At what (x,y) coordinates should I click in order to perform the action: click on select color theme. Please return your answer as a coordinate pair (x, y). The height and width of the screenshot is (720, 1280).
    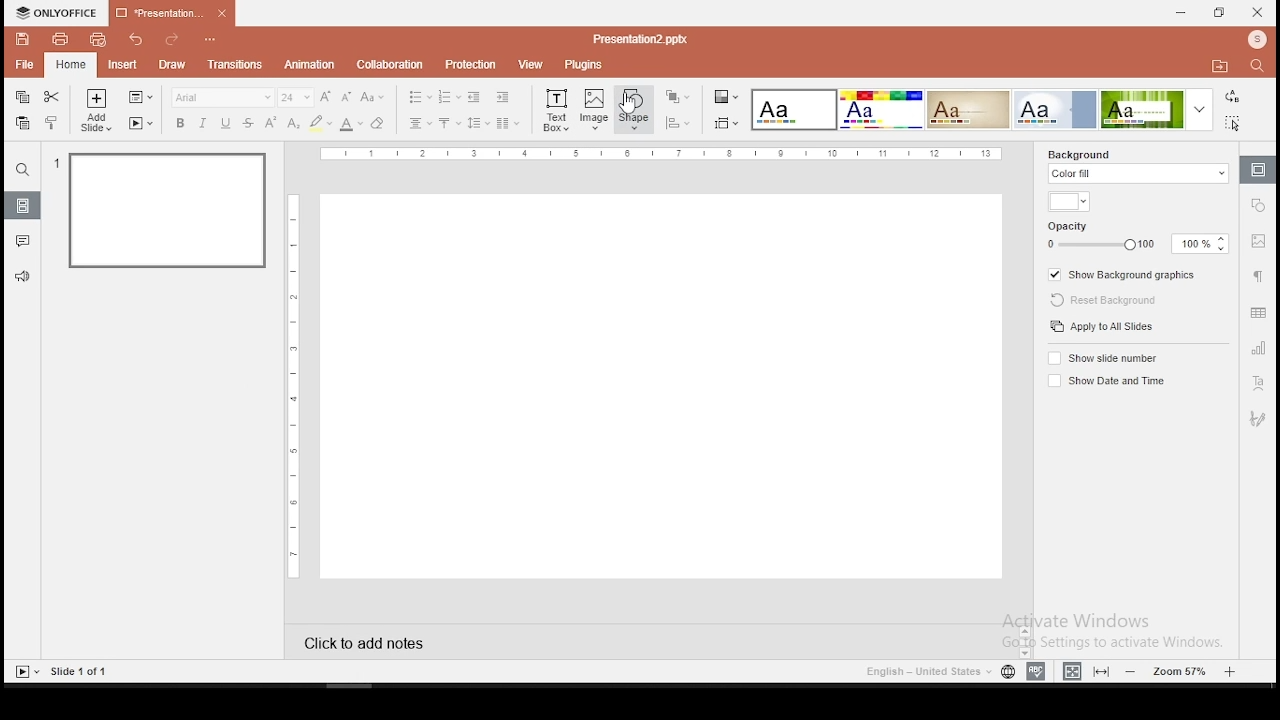
    Looking at the image, I should click on (727, 98).